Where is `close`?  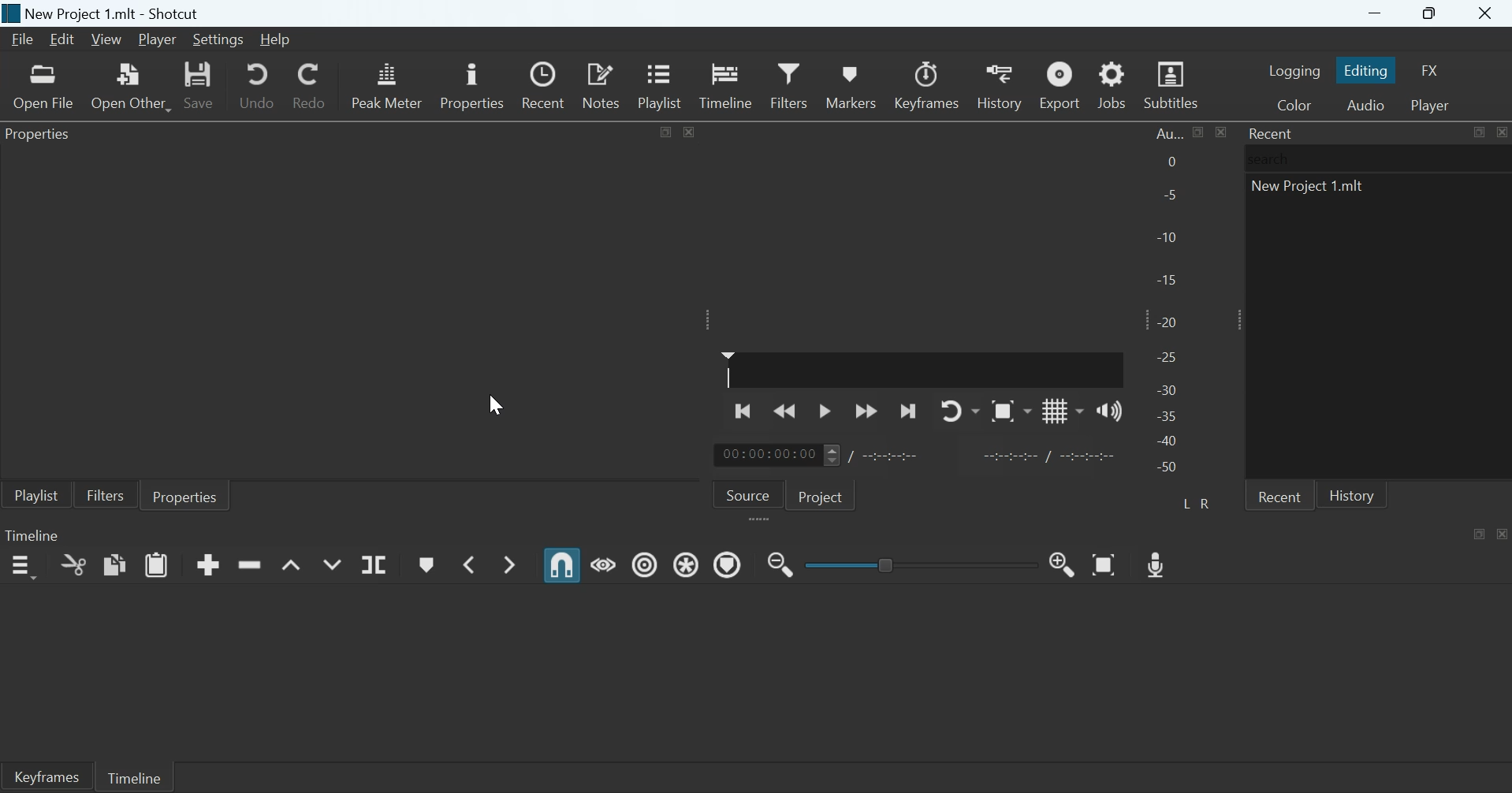 close is located at coordinates (689, 131).